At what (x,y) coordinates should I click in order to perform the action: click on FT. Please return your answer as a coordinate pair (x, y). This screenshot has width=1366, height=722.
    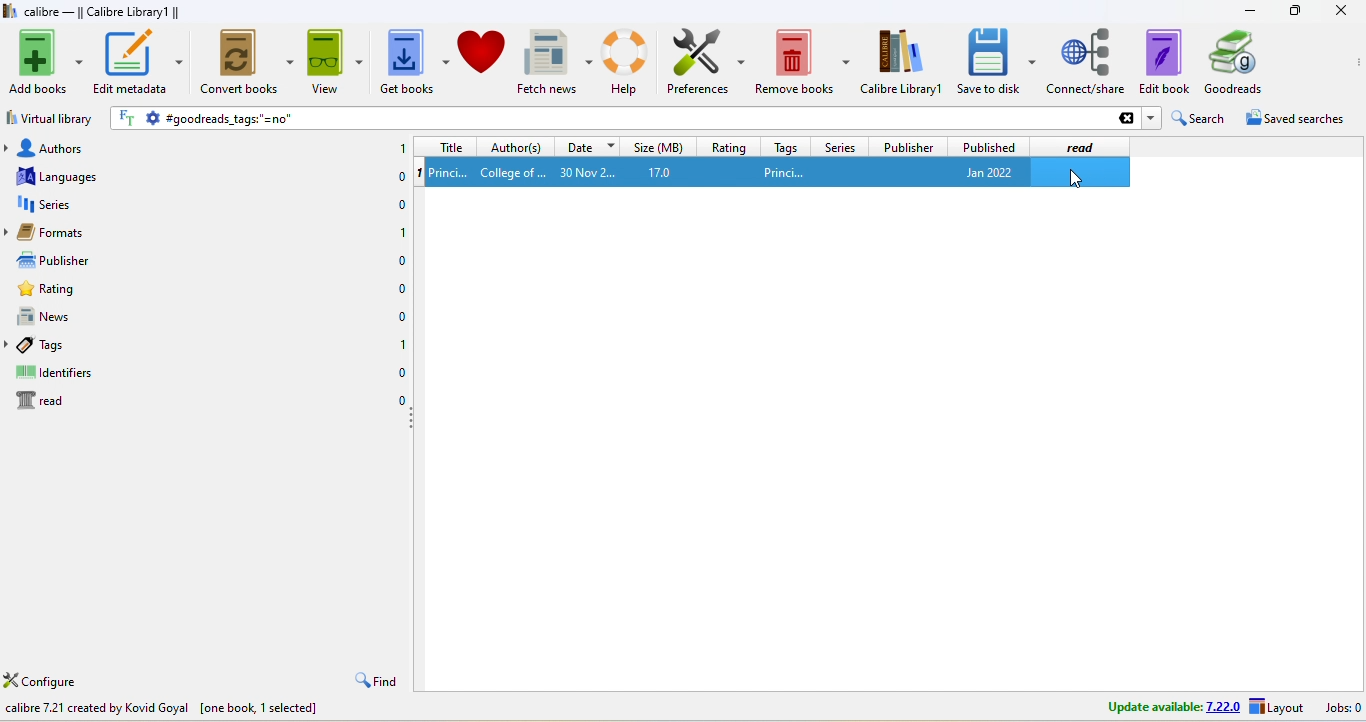
    Looking at the image, I should click on (128, 118).